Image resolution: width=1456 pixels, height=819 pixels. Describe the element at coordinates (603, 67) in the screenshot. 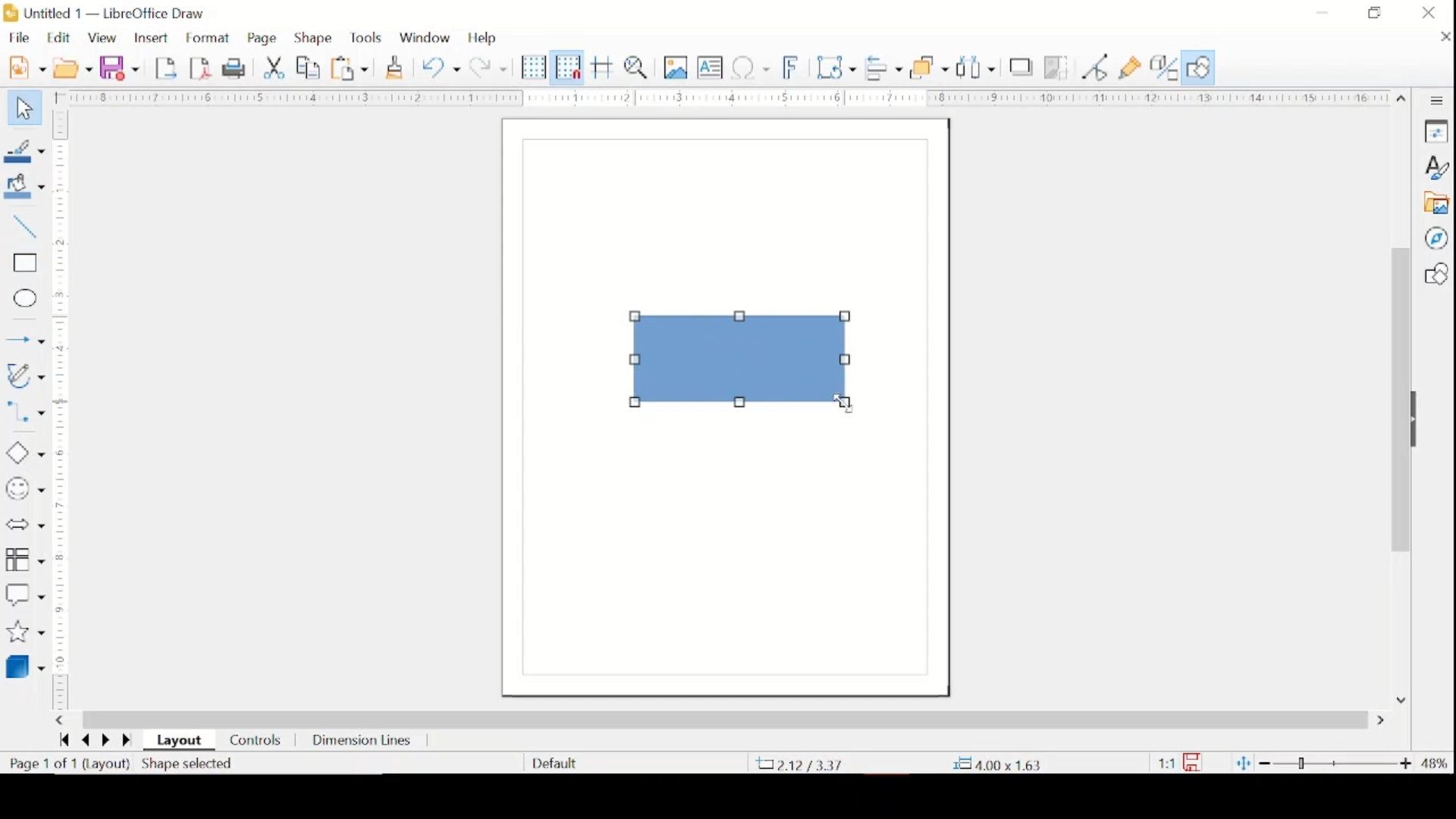

I see `show helplines while moving` at that location.